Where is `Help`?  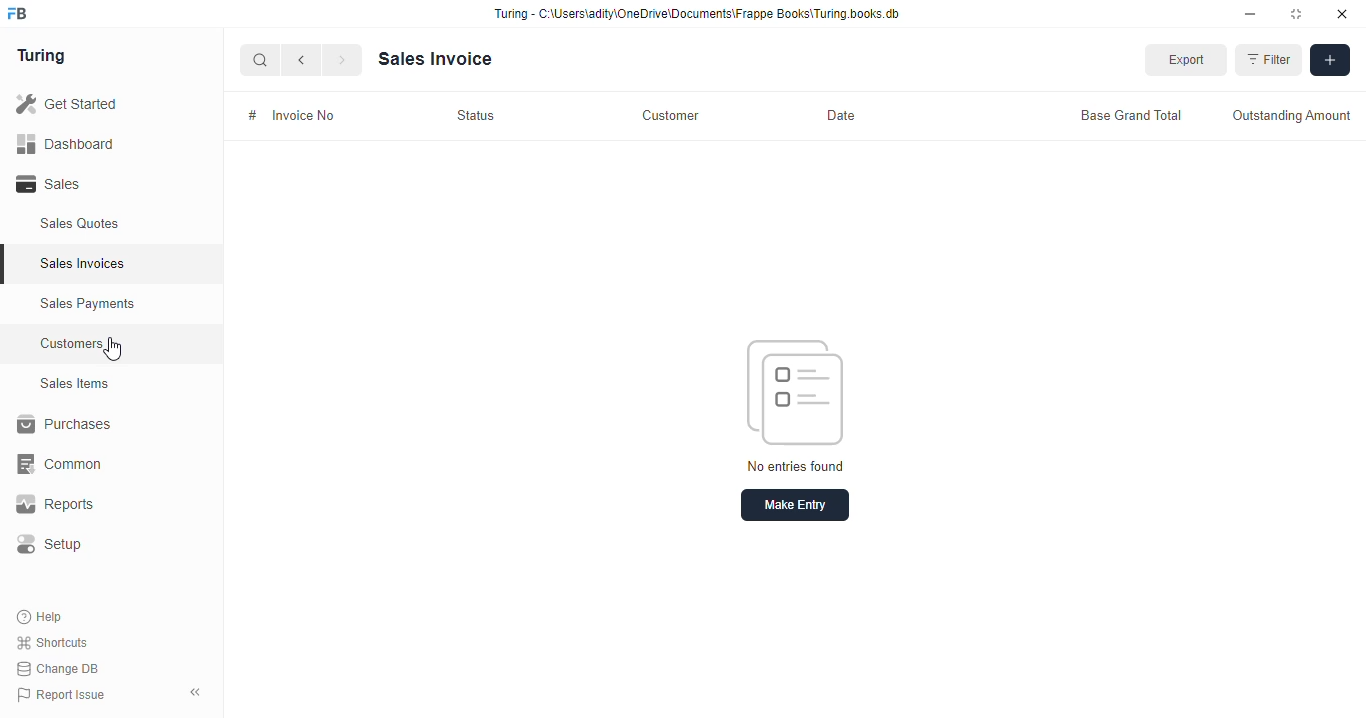 Help is located at coordinates (42, 618).